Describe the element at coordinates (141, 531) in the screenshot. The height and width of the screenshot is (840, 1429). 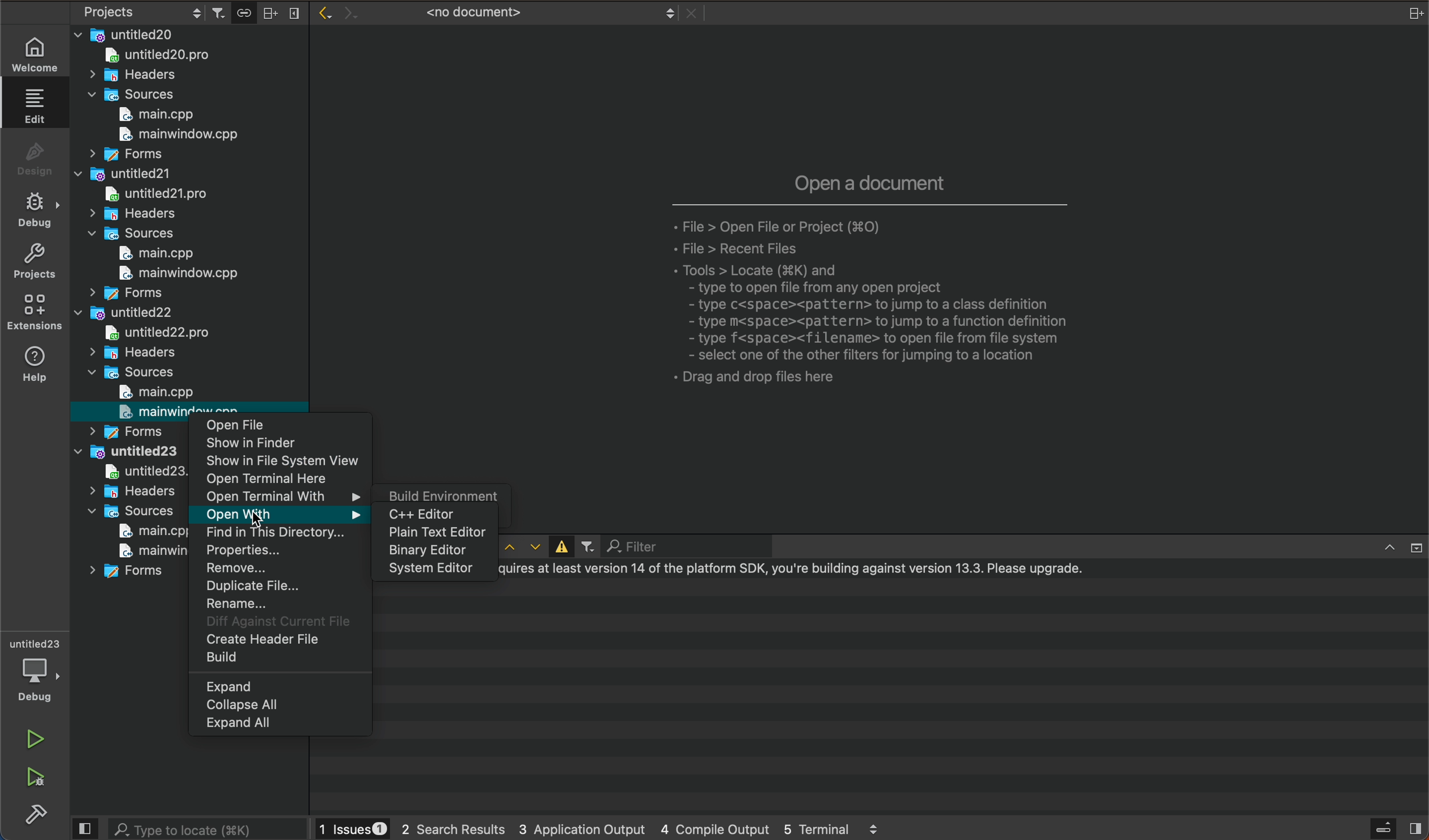
I see `msin.cpp` at that location.